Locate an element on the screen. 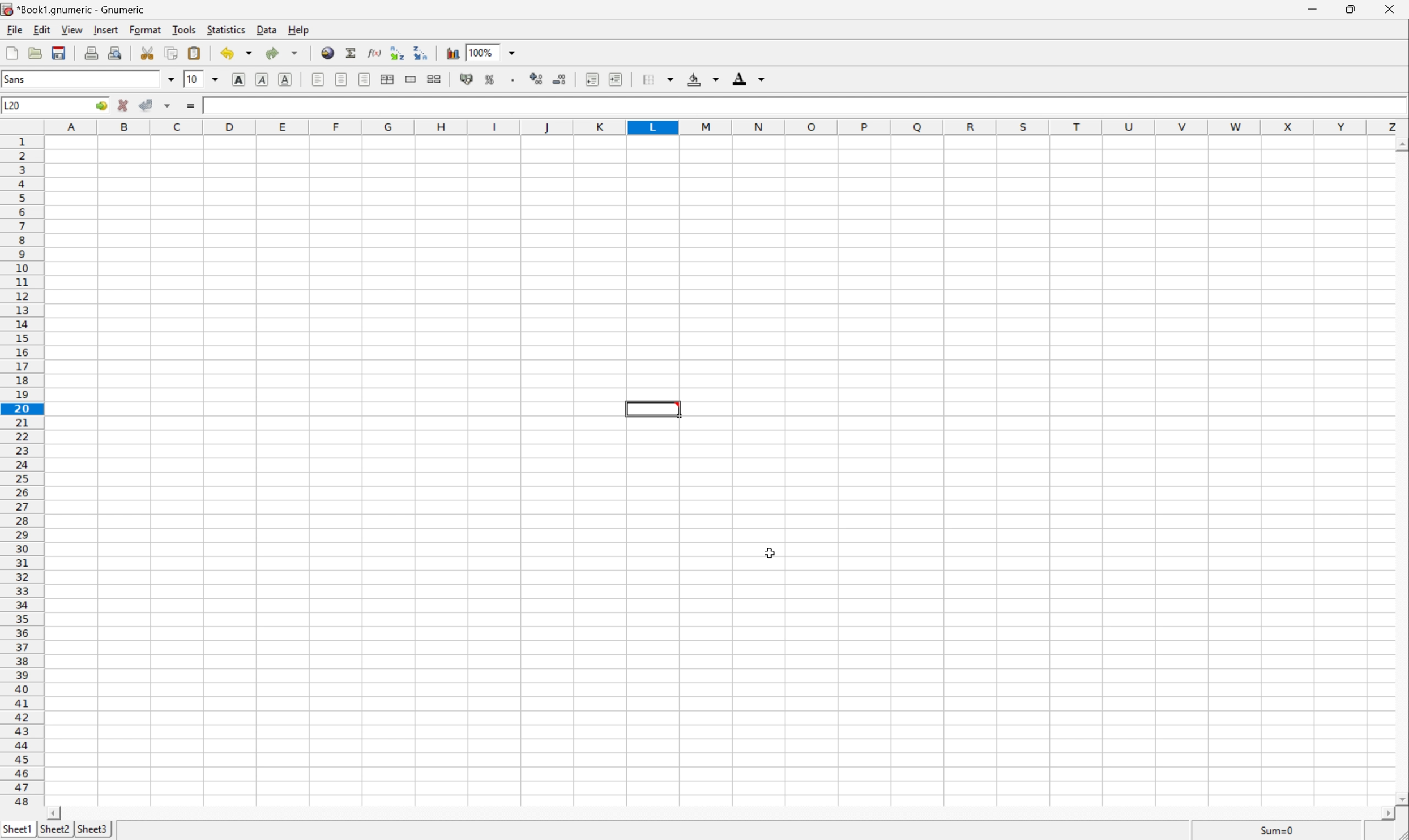 Image resolution: width=1409 pixels, height=840 pixels. Sort the selected region in ascending order based on the first column selected is located at coordinates (395, 51).